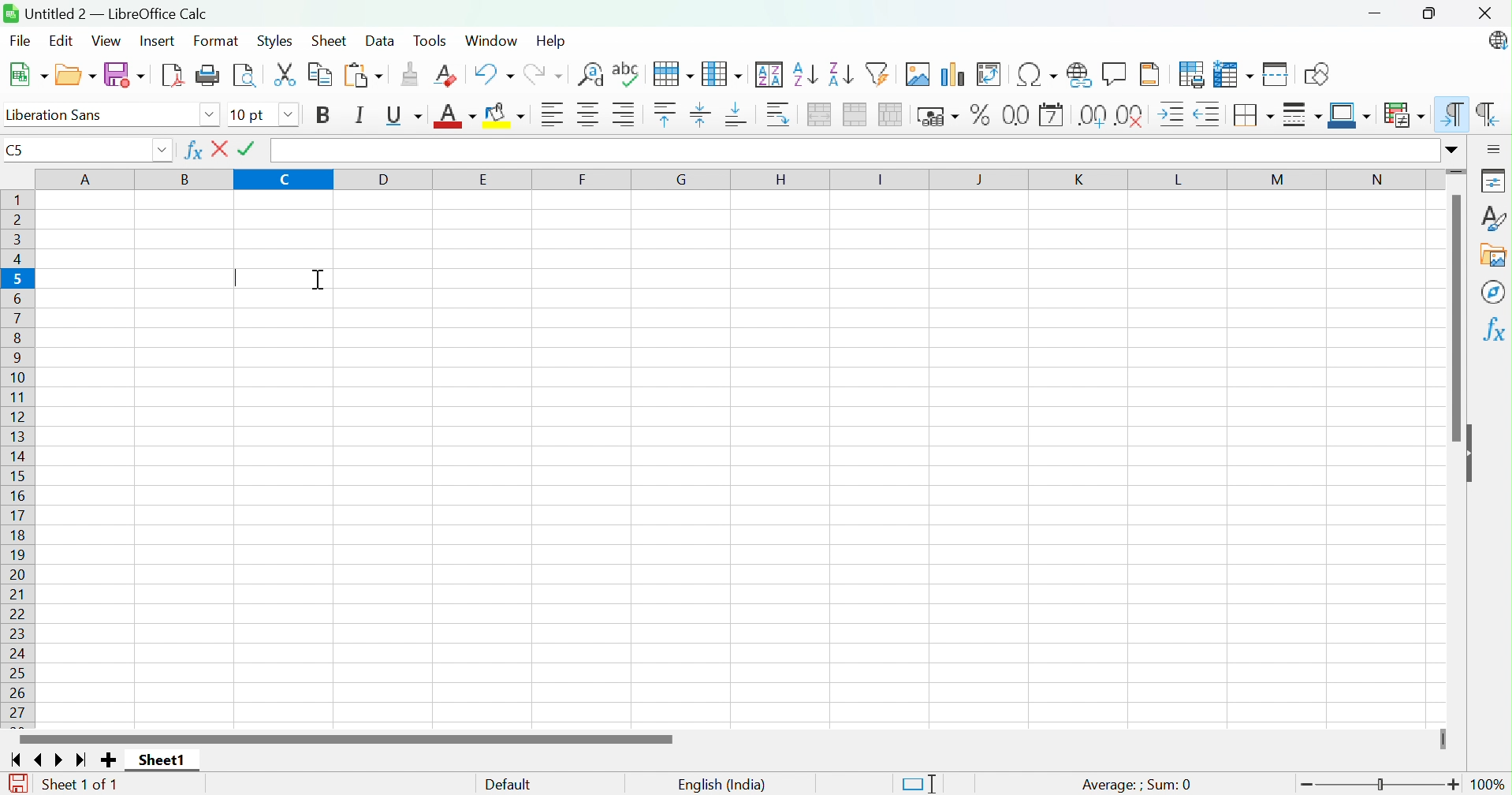 This screenshot has width=1512, height=795. What do you see at coordinates (449, 76) in the screenshot?
I see `Clear direct formatting` at bounding box center [449, 76].